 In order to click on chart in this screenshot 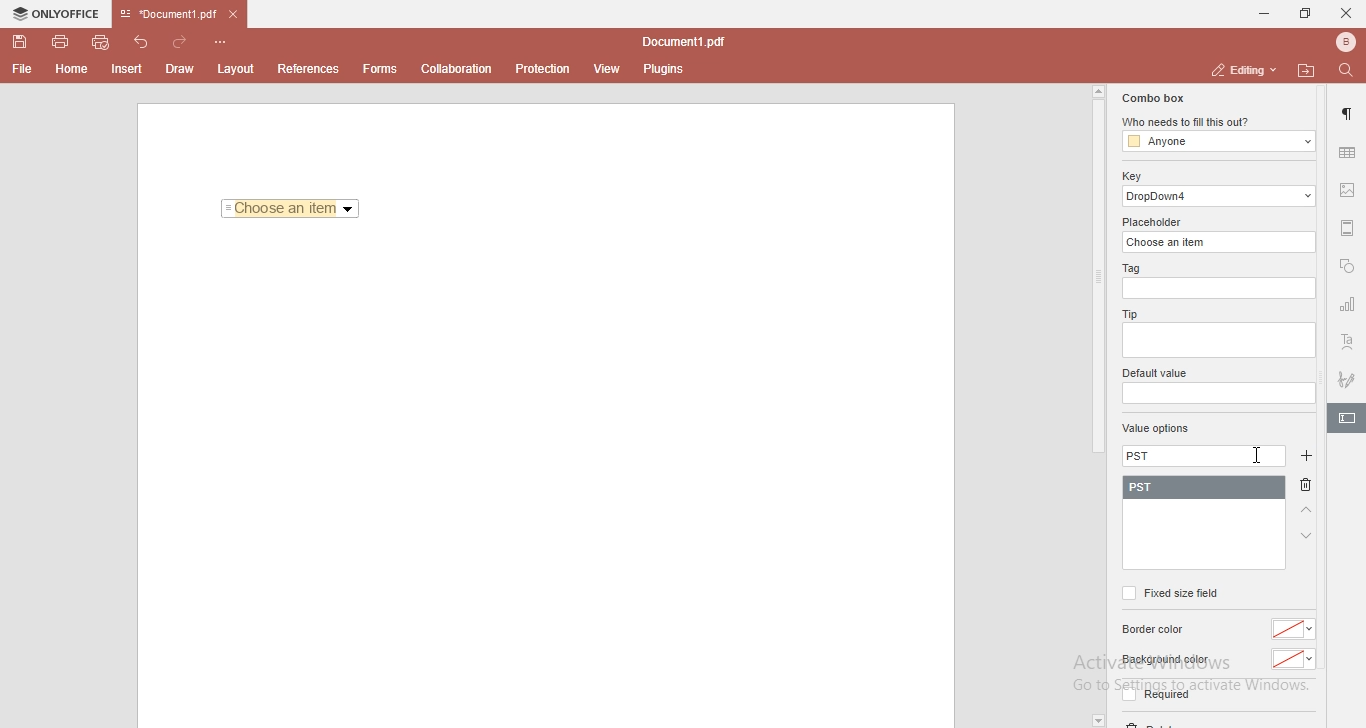, I will do `click(1348, 308)`.